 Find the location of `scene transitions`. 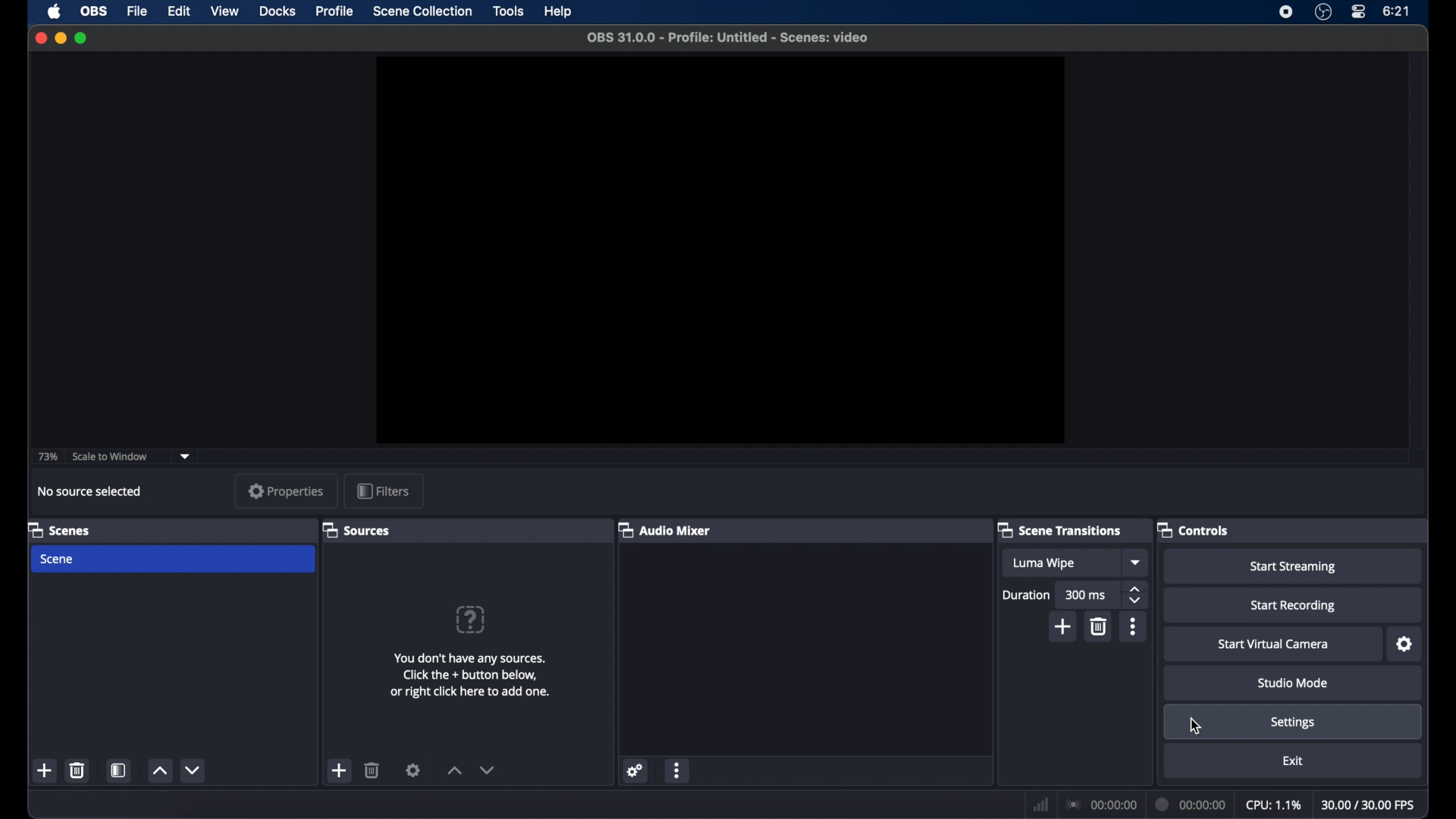

scene transitions is located at coordinates (1060, 529).